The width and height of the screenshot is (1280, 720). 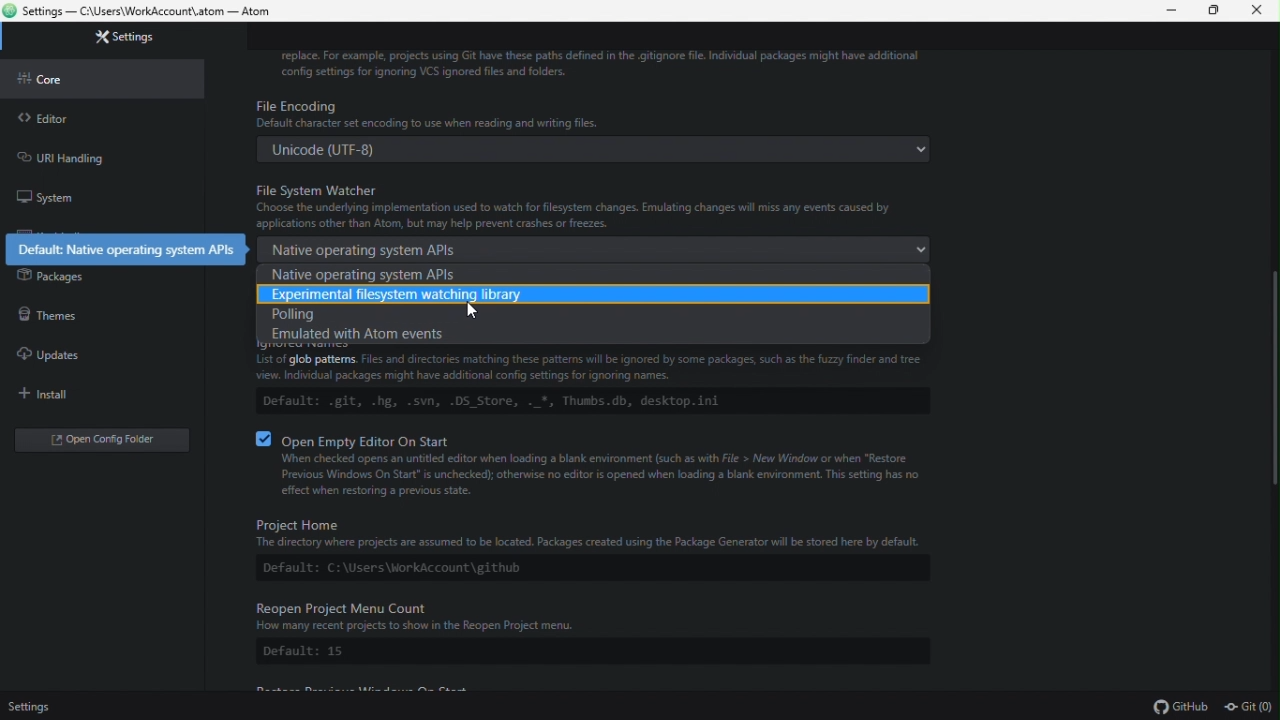 What do you see at coordinates (143, 10) in the screenshot?
I see `file name and file path ` at bounding box center [143, 10].